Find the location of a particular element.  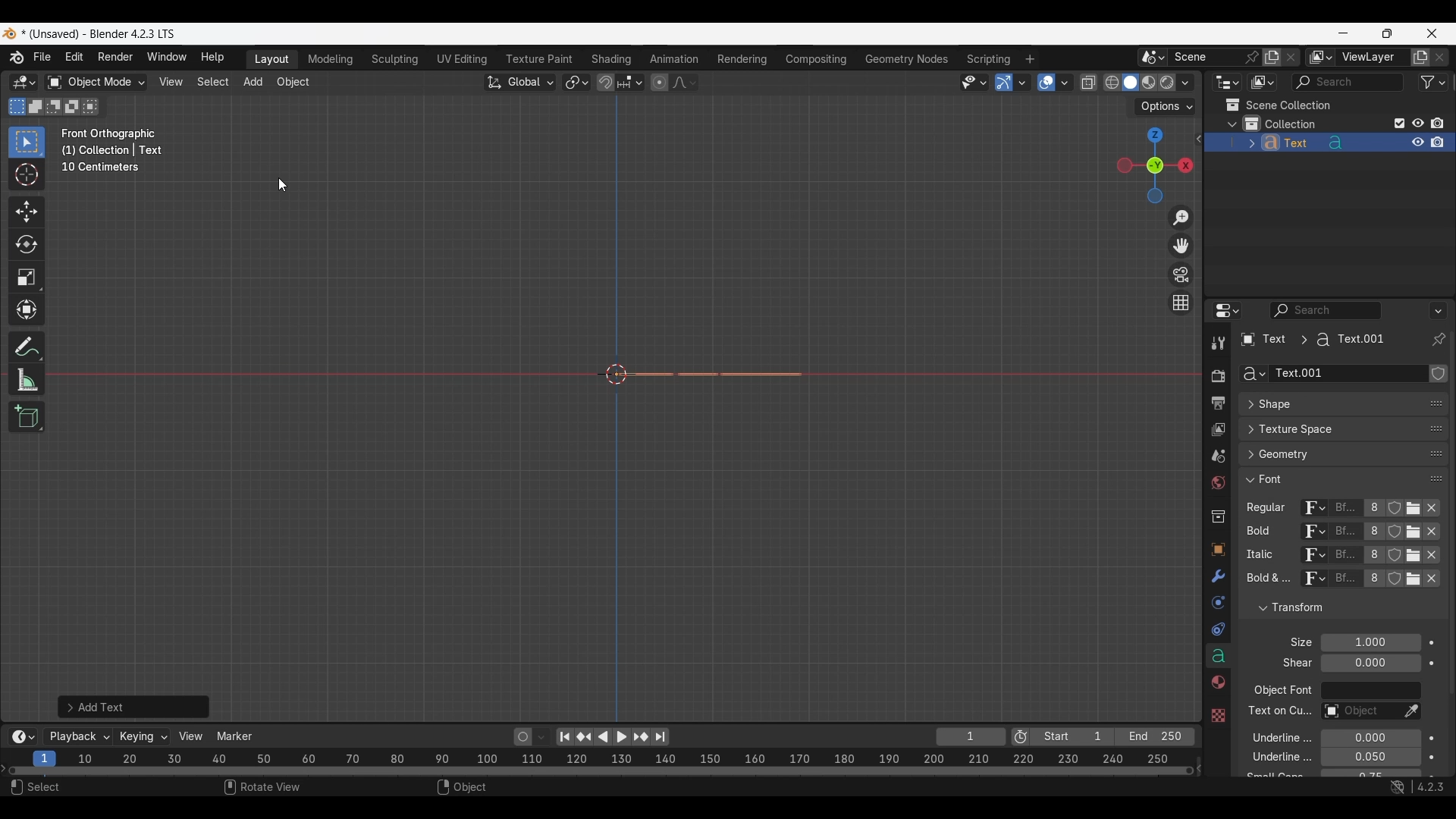

Change order in the list is located at coordinates (1437, 601).